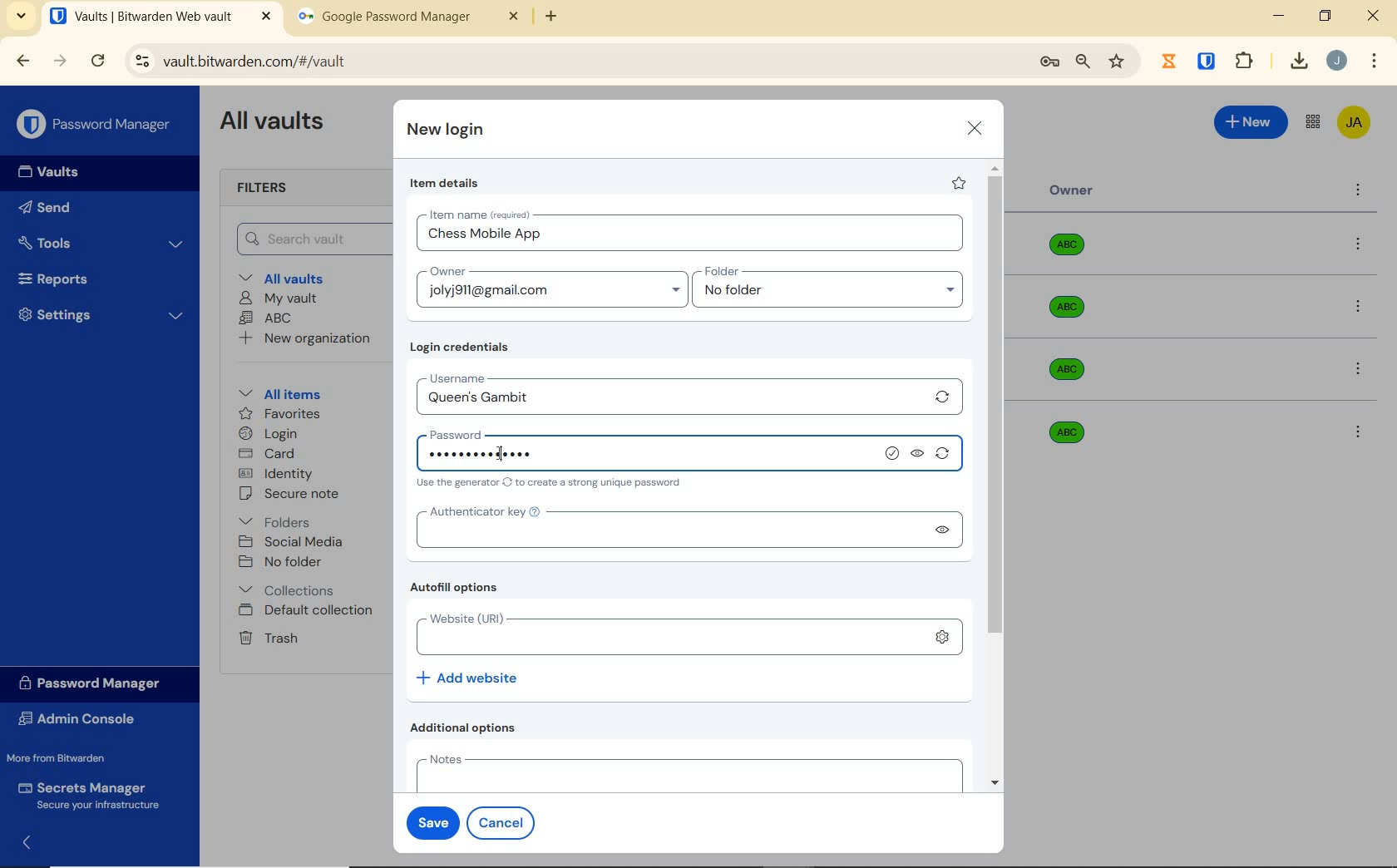 The width and height of the screenshot is (1397, 868). What do you see at coordinates (446, 273) in the screenshot?
I see `owner` at bounding box center [446, 273].